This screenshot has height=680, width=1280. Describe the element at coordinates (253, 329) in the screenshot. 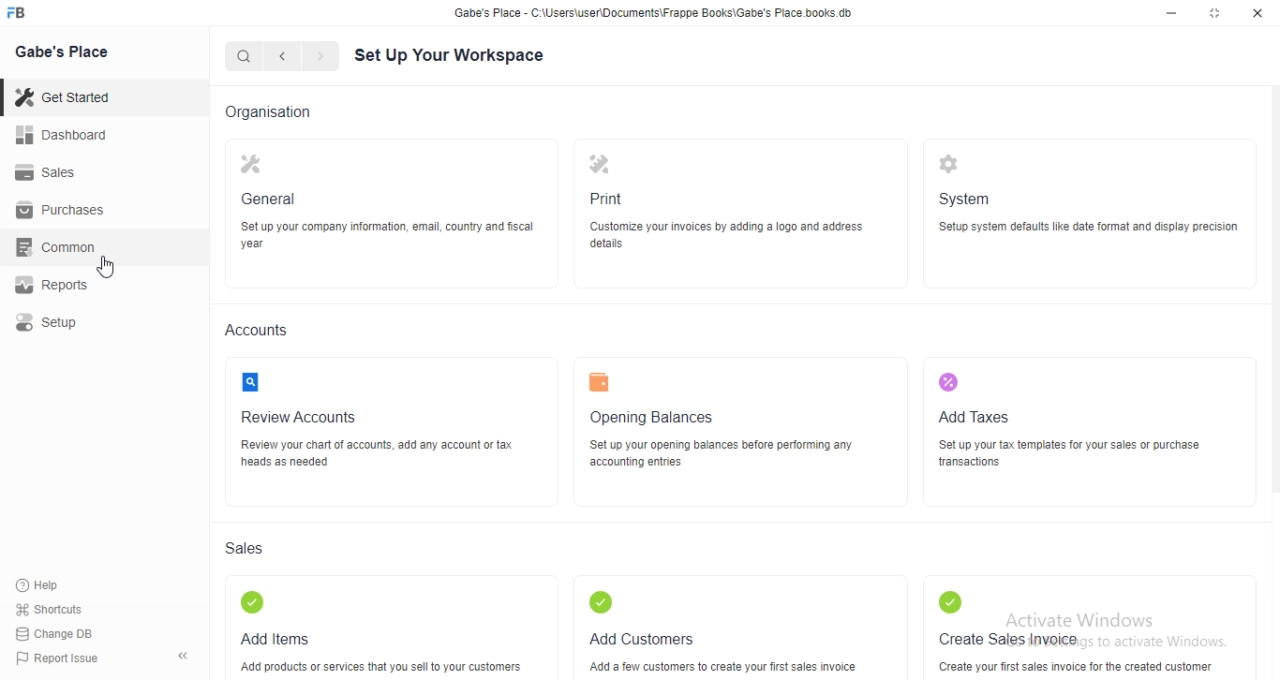

I see `Accounts` at that location.